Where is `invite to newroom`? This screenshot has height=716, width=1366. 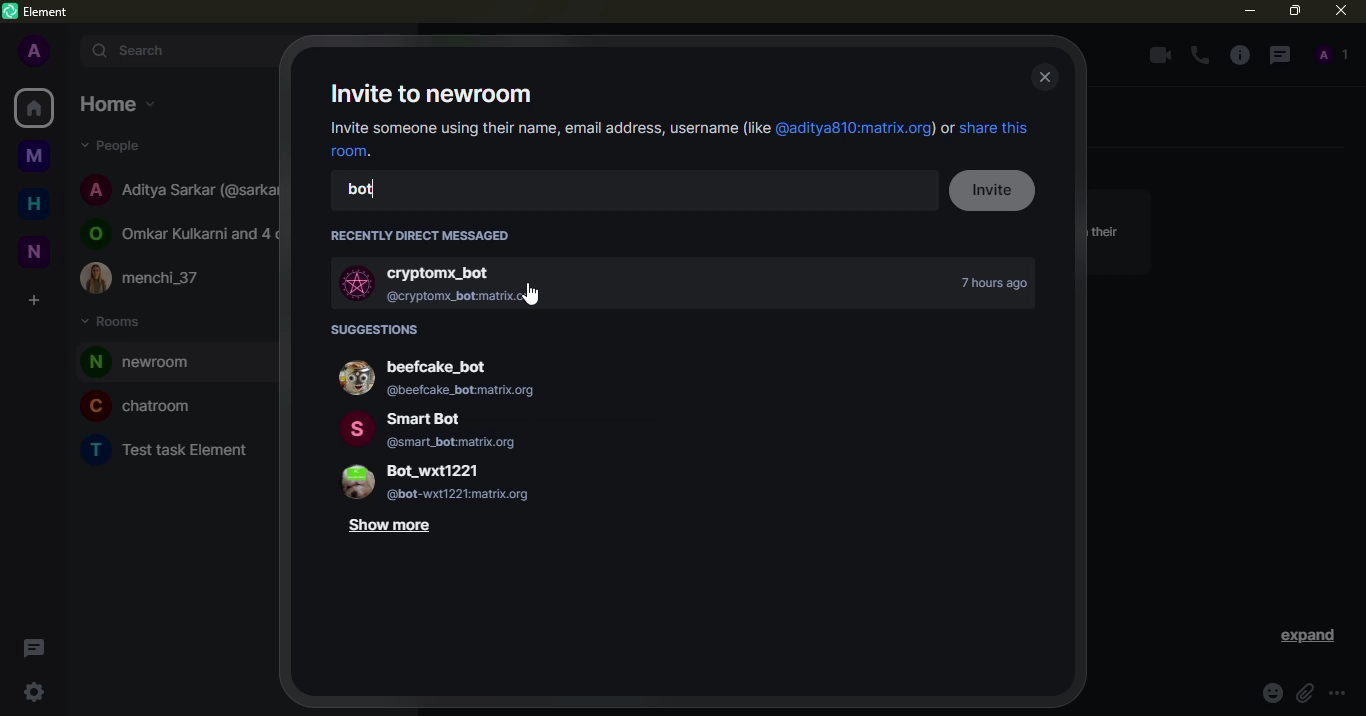 invite to newroom is located at coordinates (443, 90).